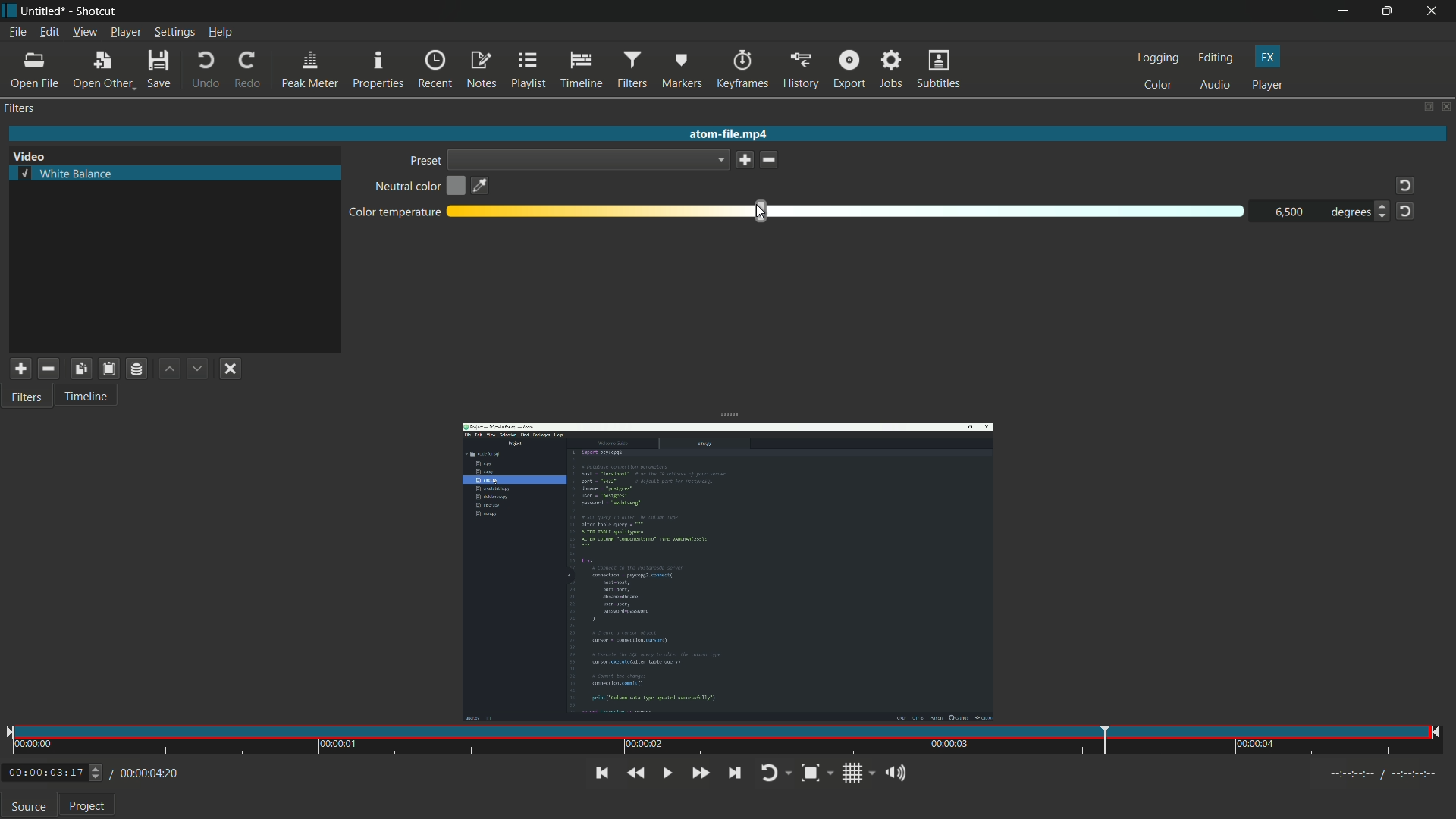 Image resolution: width=1456 pixels, height=819 pixels. I want to click on properties, so click(379, 71).